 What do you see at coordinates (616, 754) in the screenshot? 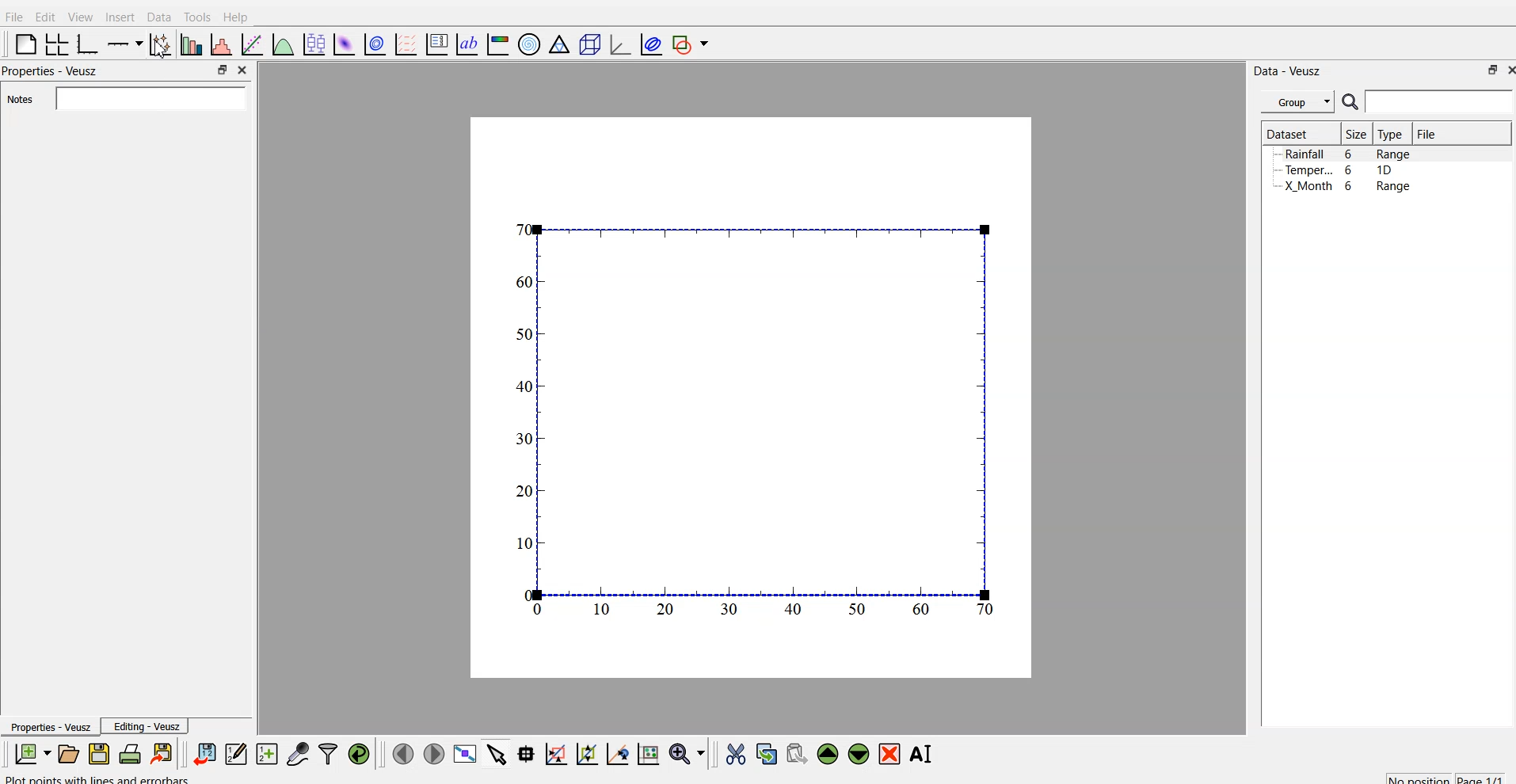
I see `zoom out graph axes` at bounding box center [616, 754].